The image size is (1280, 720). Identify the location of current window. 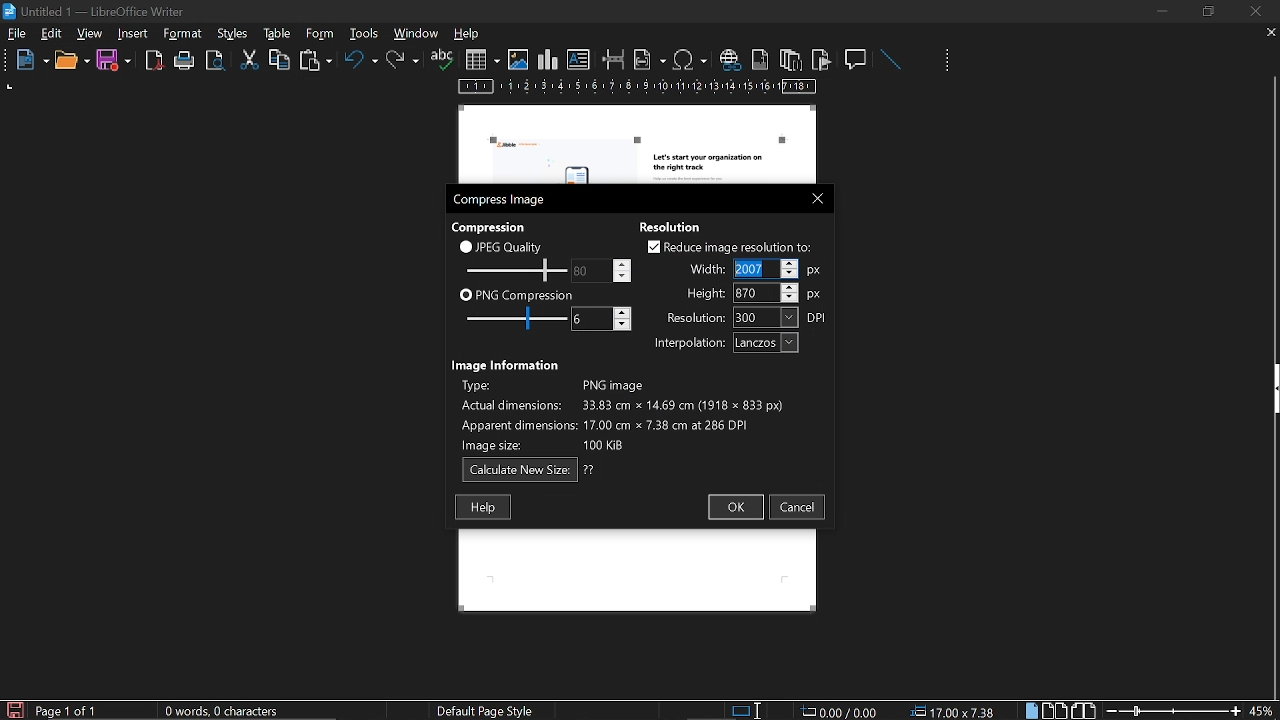
(97, 10).